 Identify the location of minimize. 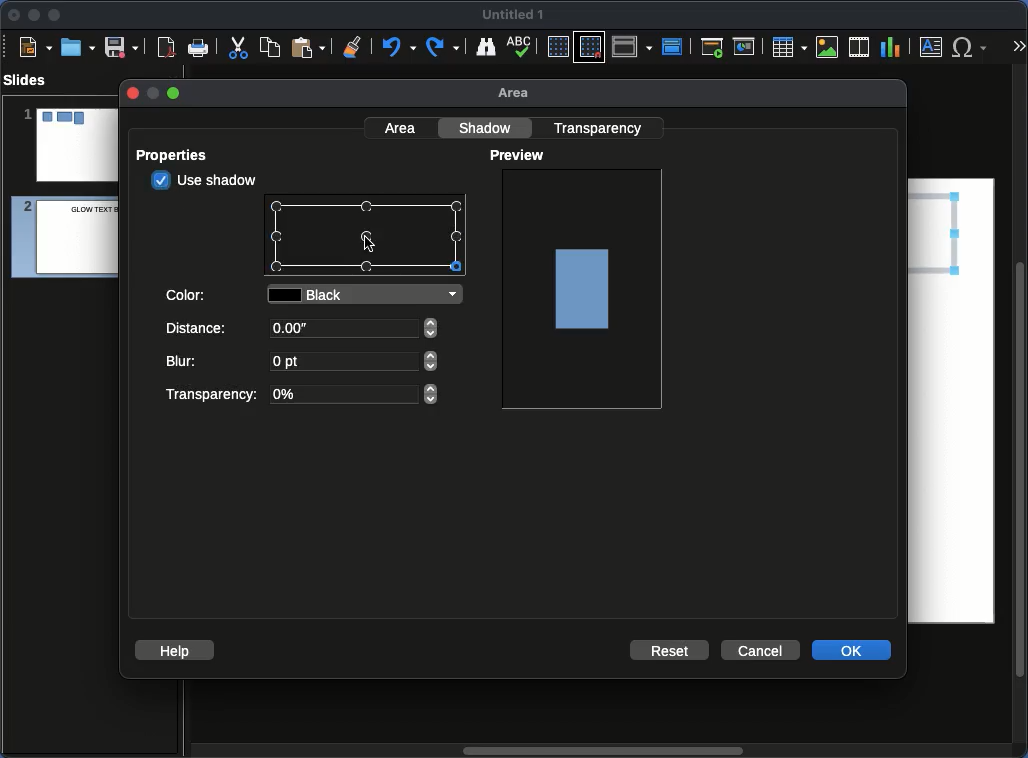
(151, 93).